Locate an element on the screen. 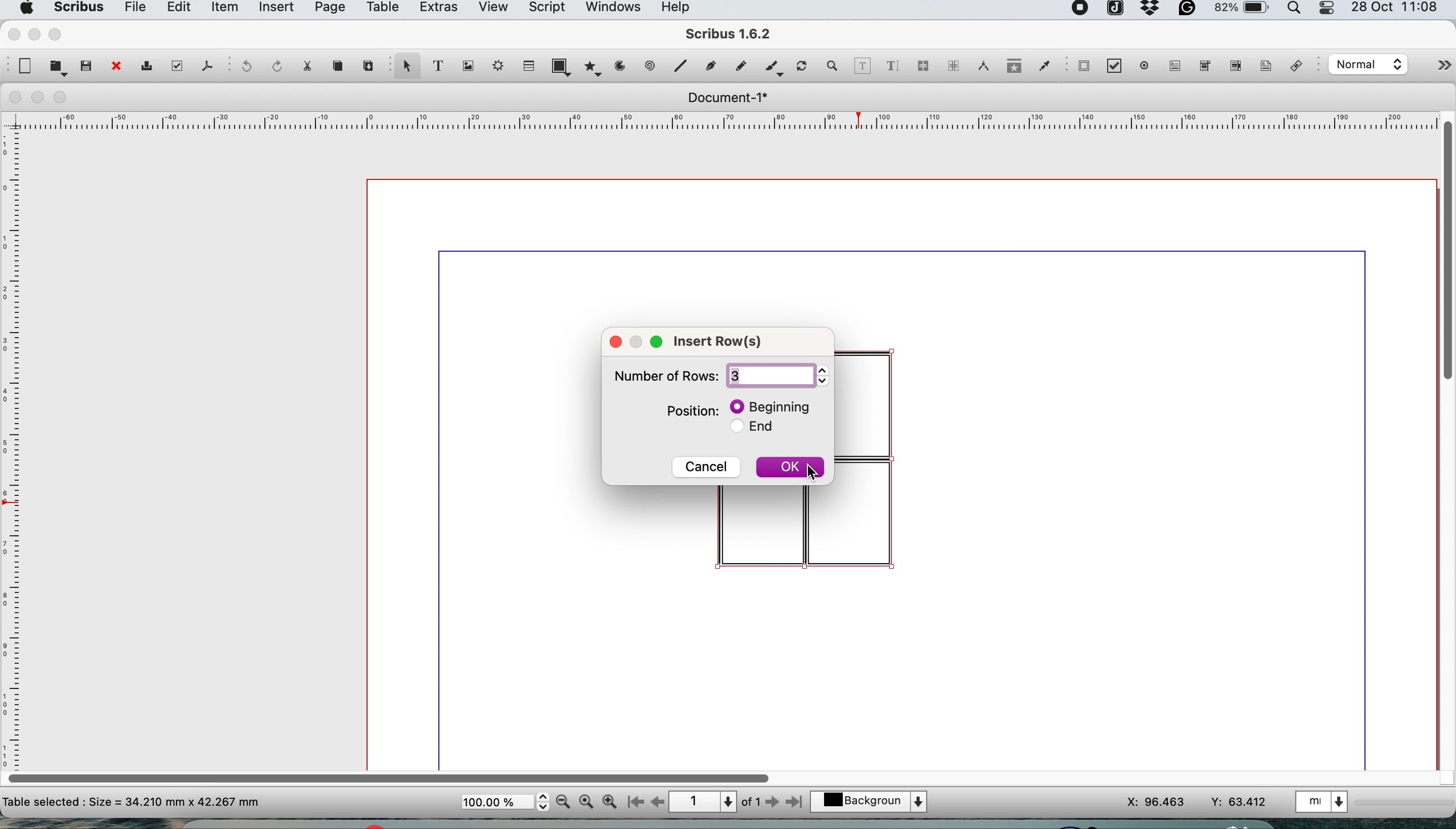 This screenshot has width=1456, height=829. save is located at coordinates (87, 65).